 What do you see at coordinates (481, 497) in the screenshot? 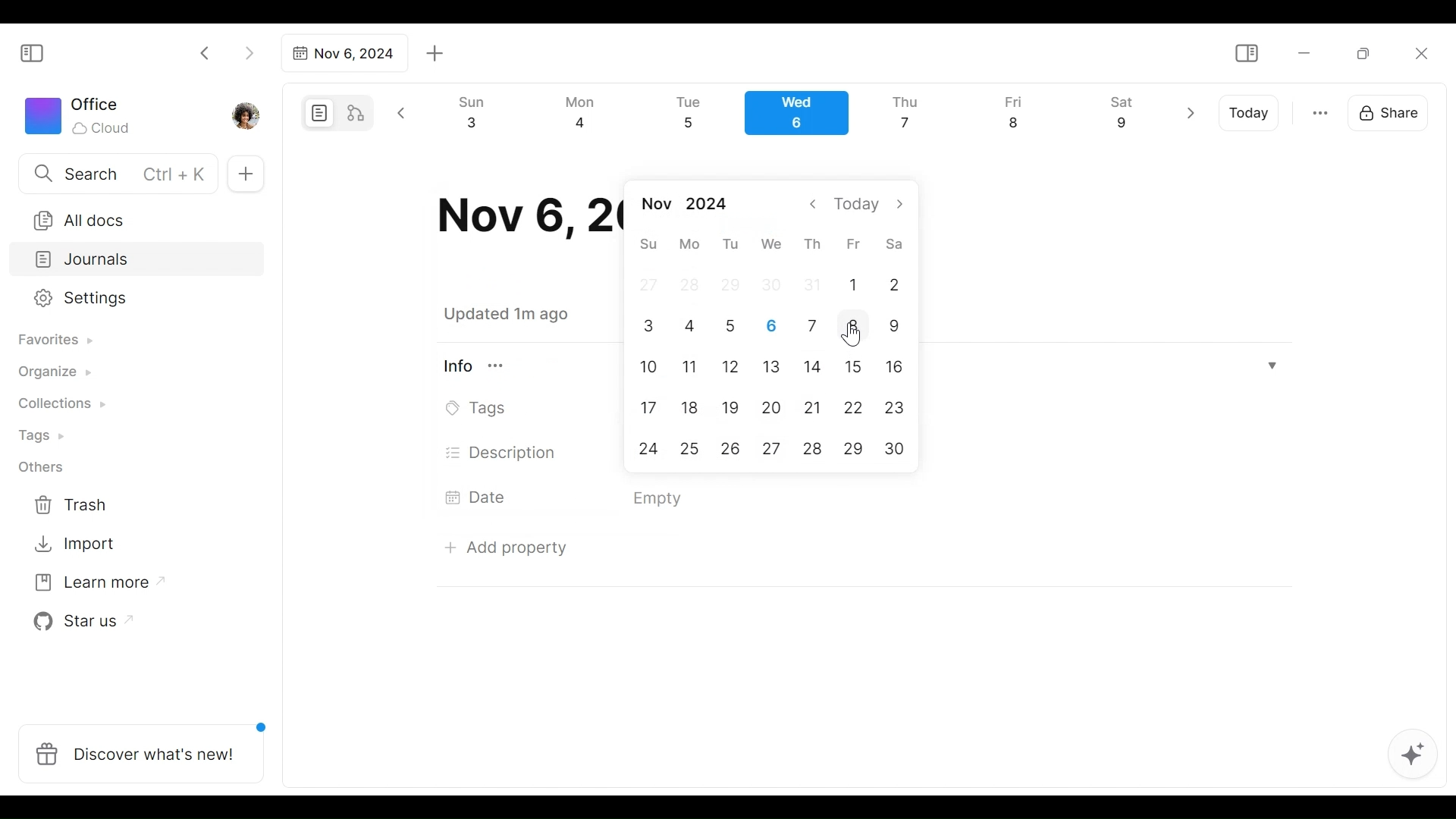
I see `Date` at bounding box center [481, 497].